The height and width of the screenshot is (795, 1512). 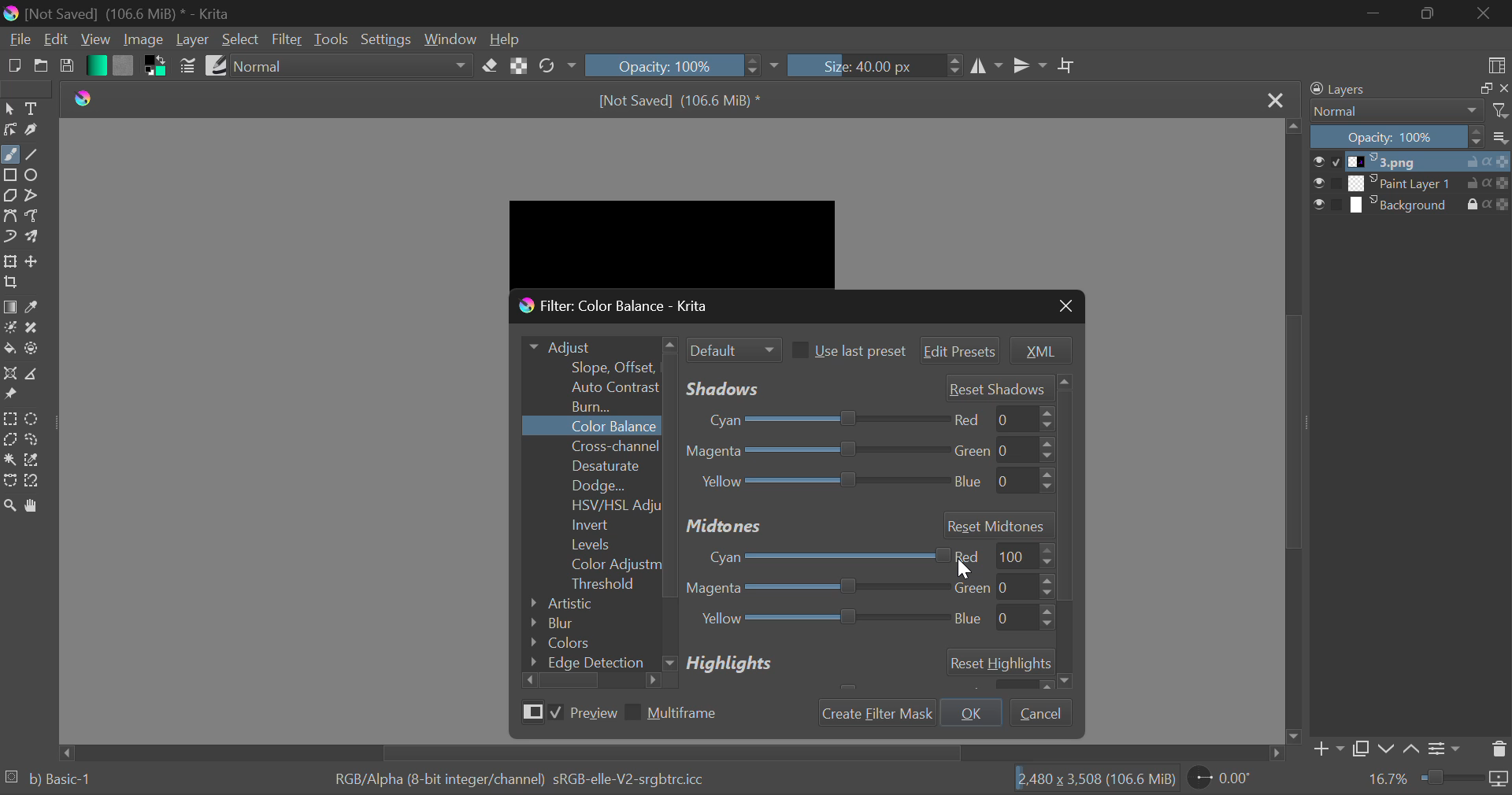 What do you see at coordinates (38, 505) in the screenshot?
I see `Pan` at bounding box center [38, 505].